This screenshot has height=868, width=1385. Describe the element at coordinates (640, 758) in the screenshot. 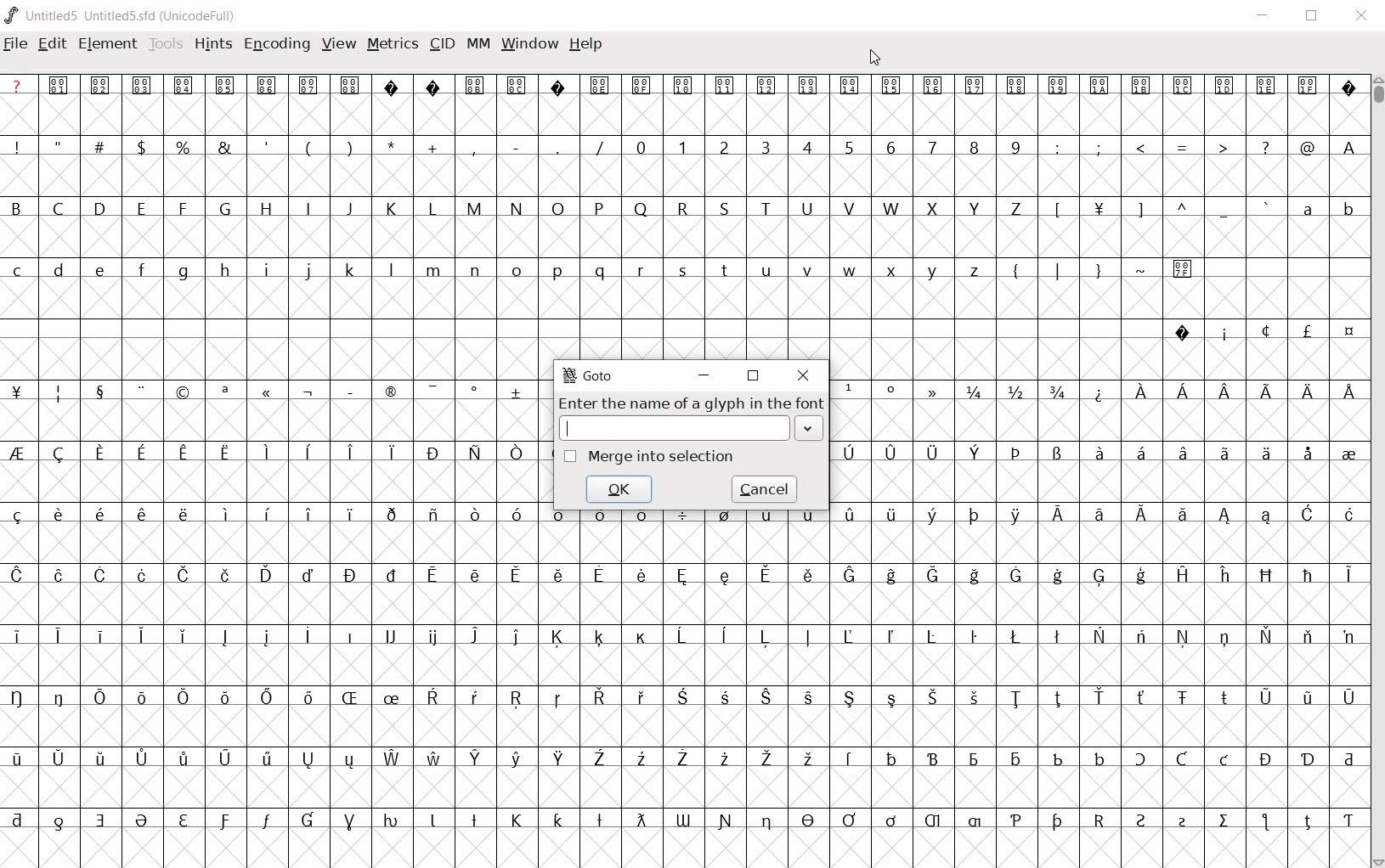

I see `Symbol` at that location.